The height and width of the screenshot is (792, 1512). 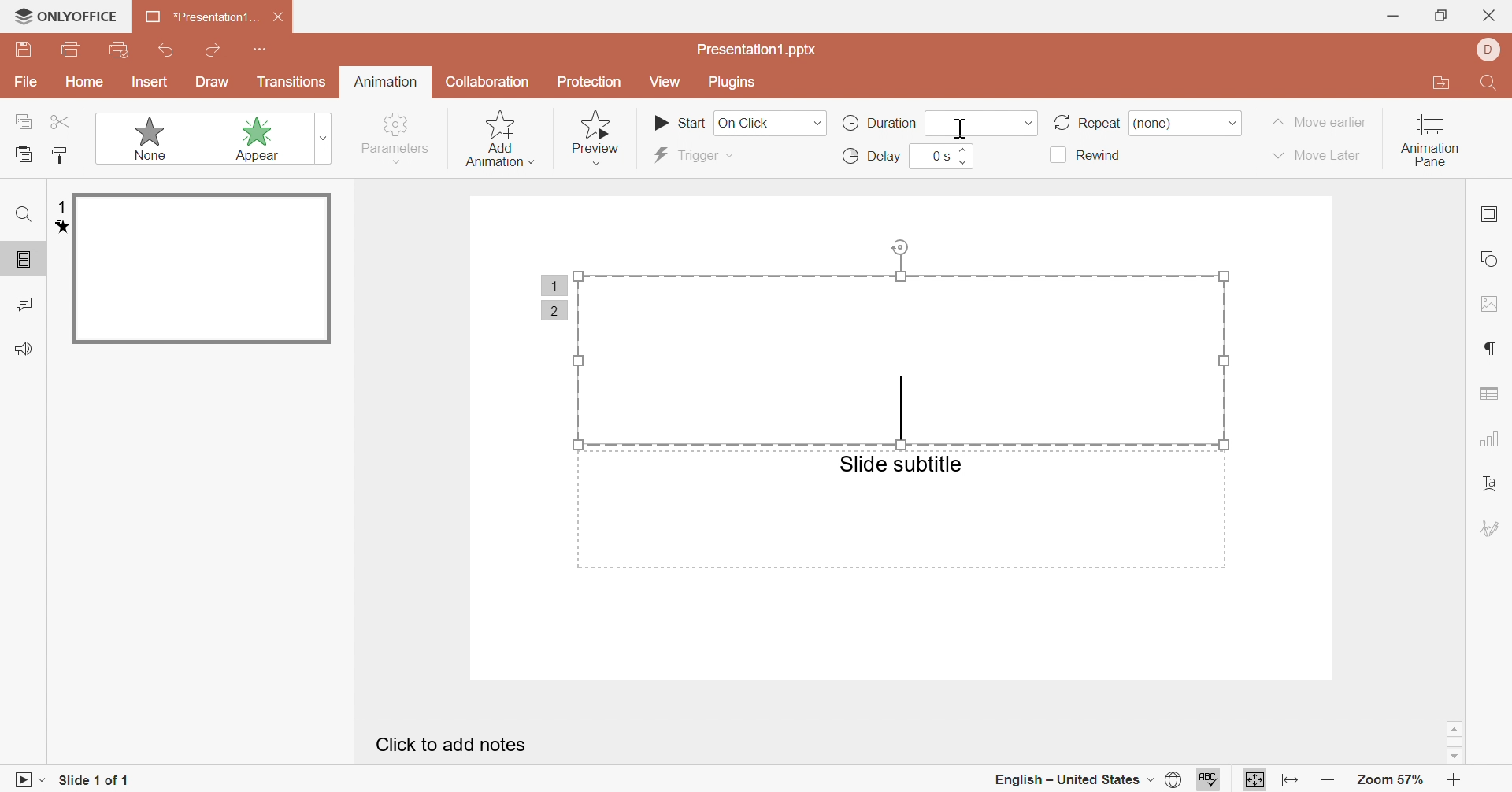 What do you see at coordinates (1457, 781) in the screenshot?
I see `zoom in` at bounding box center [1457, 781].